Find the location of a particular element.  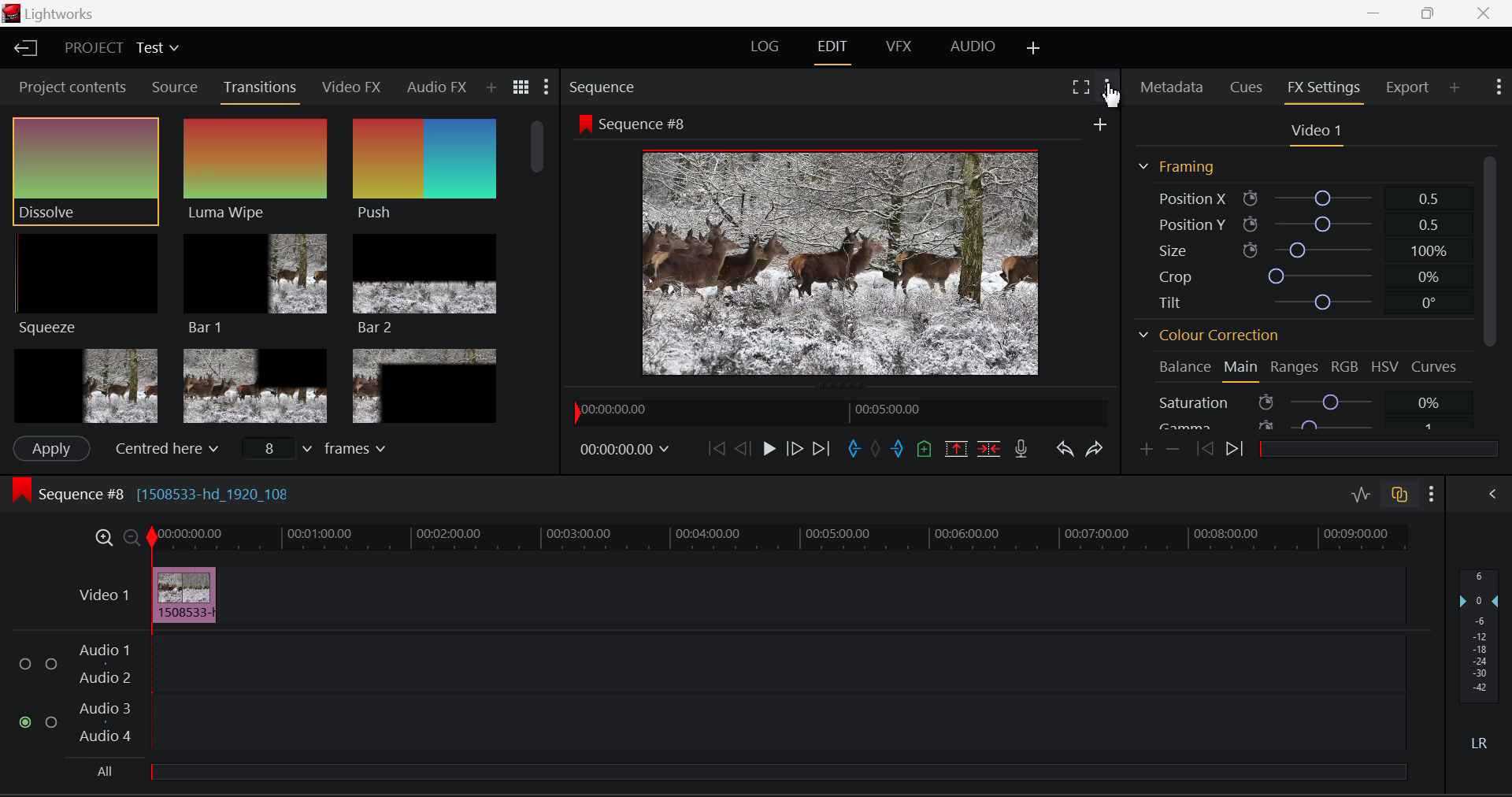

Full Screen is located at coordinates (1080, 87).